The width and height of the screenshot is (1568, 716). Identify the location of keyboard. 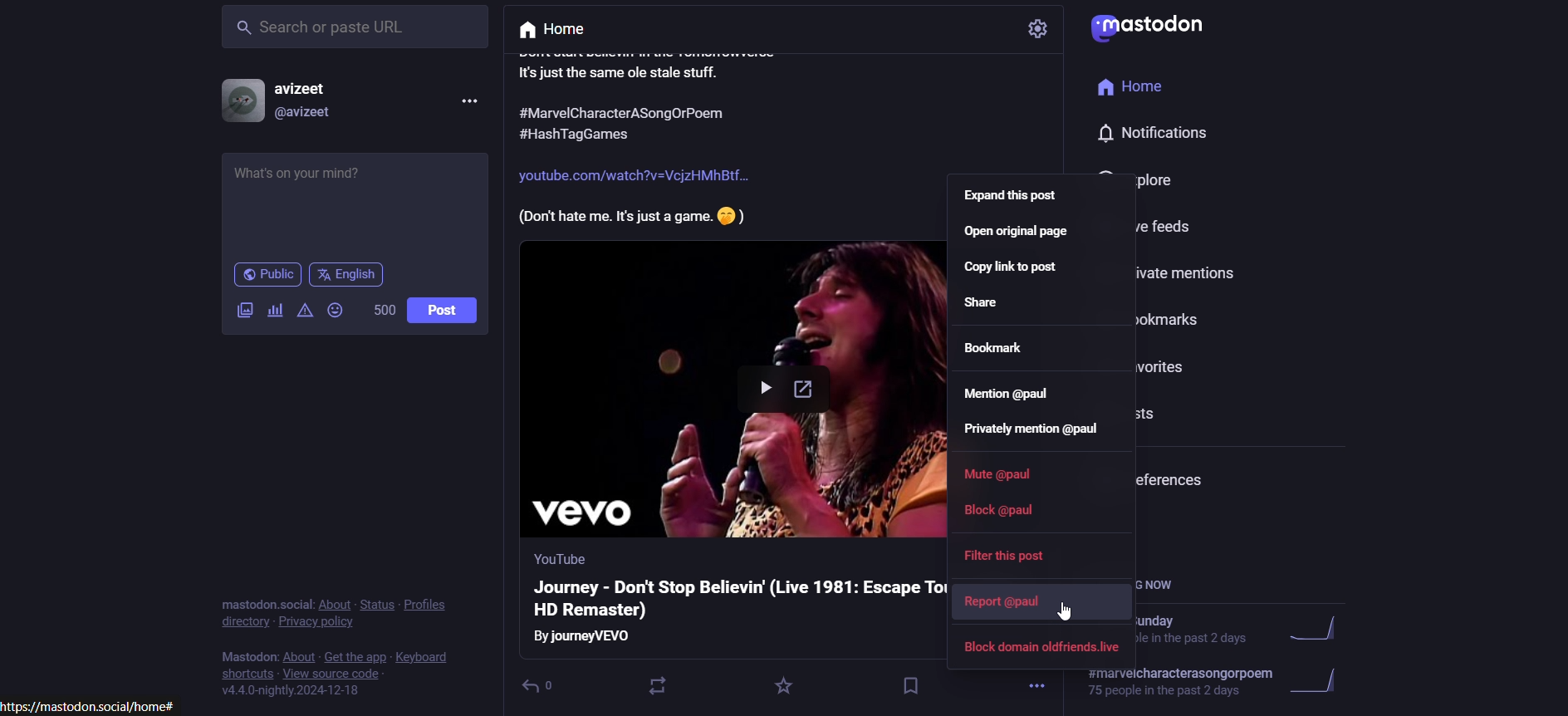
(427, 651).